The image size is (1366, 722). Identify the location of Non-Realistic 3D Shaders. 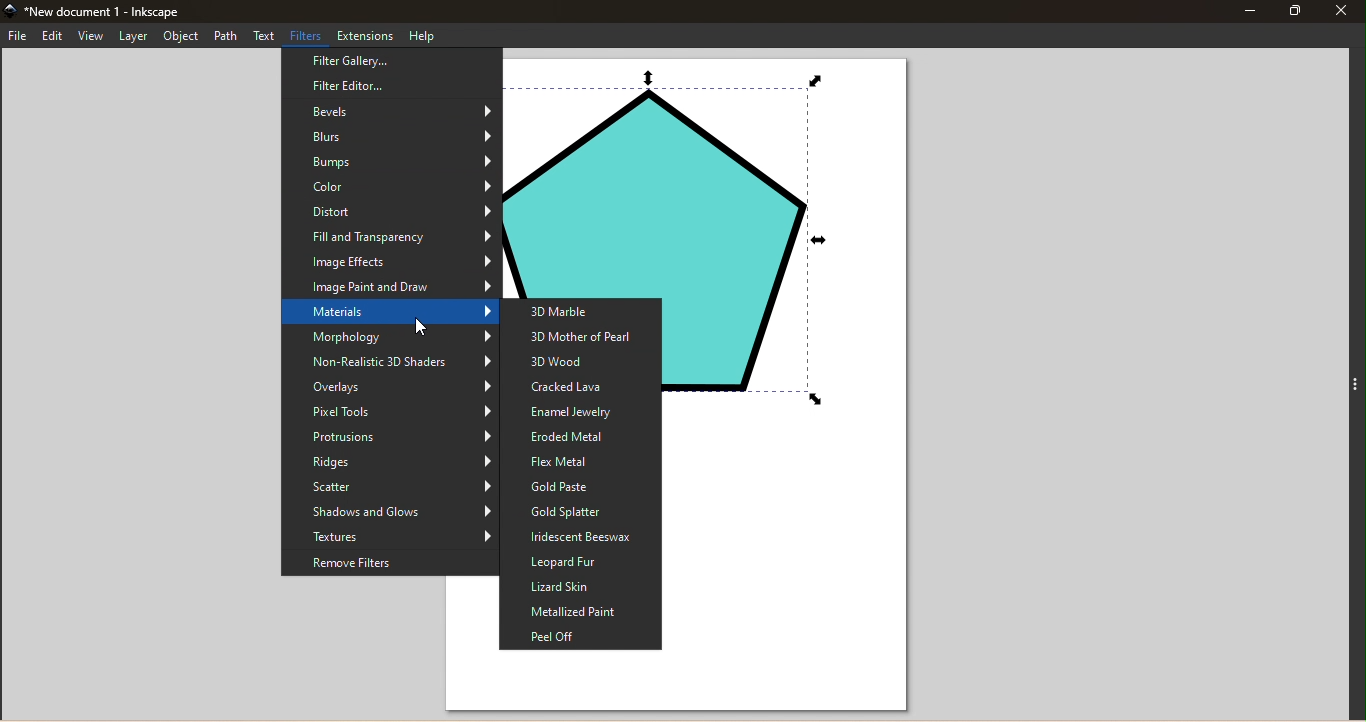
(390, 363).